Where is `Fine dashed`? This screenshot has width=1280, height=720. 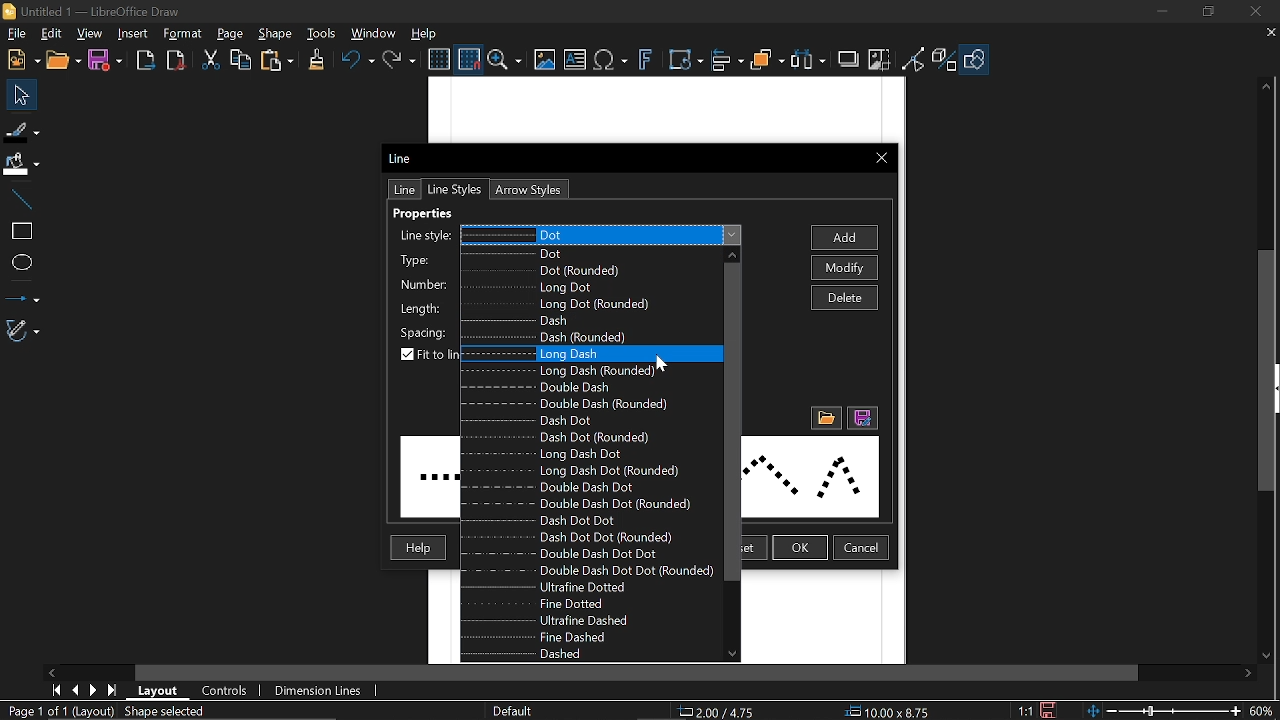 Fine dashed is located at coordinates (590, 637).